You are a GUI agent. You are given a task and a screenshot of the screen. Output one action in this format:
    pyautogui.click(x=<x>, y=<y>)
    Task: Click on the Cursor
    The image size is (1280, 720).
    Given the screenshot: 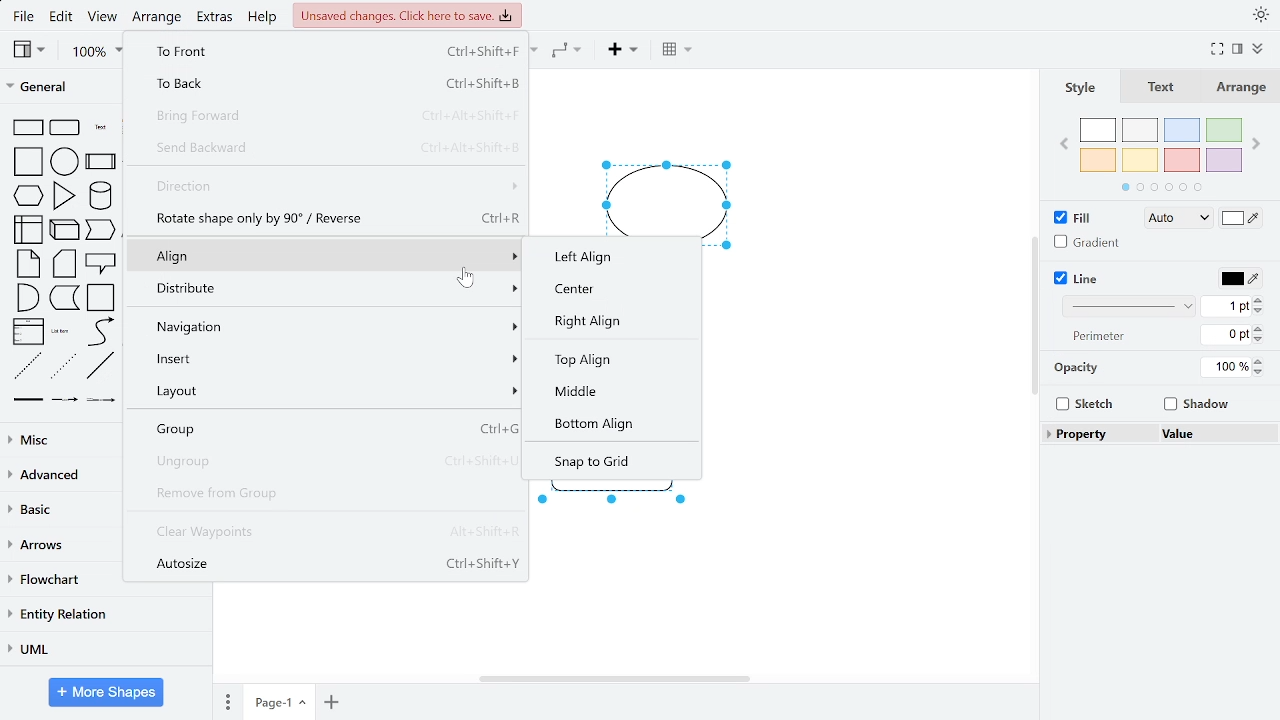 What is the action you would take?
    pyautogui.click(x=466, y=275)
    